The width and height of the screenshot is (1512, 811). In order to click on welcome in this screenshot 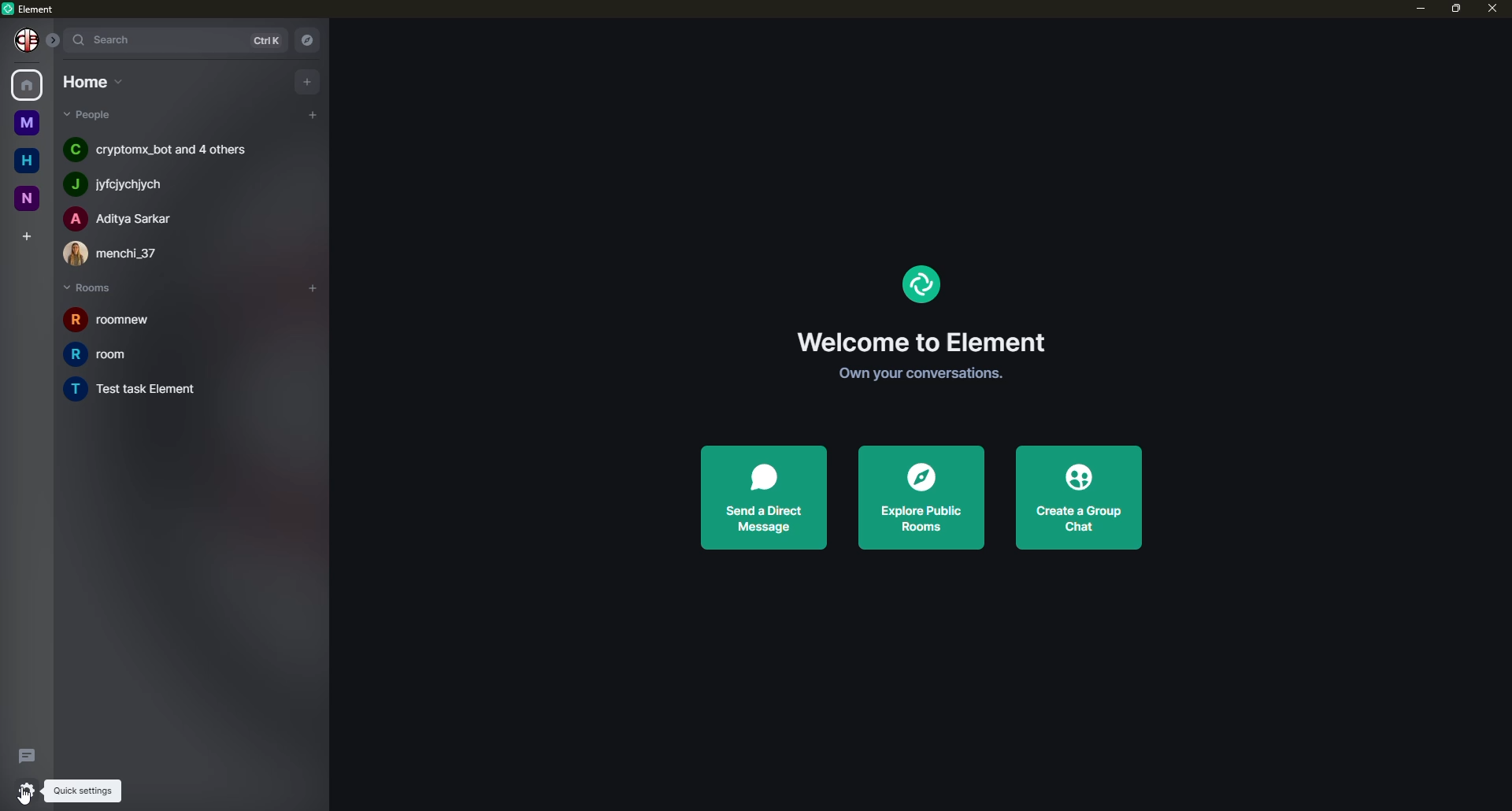, I will do `click(918, 341)`.